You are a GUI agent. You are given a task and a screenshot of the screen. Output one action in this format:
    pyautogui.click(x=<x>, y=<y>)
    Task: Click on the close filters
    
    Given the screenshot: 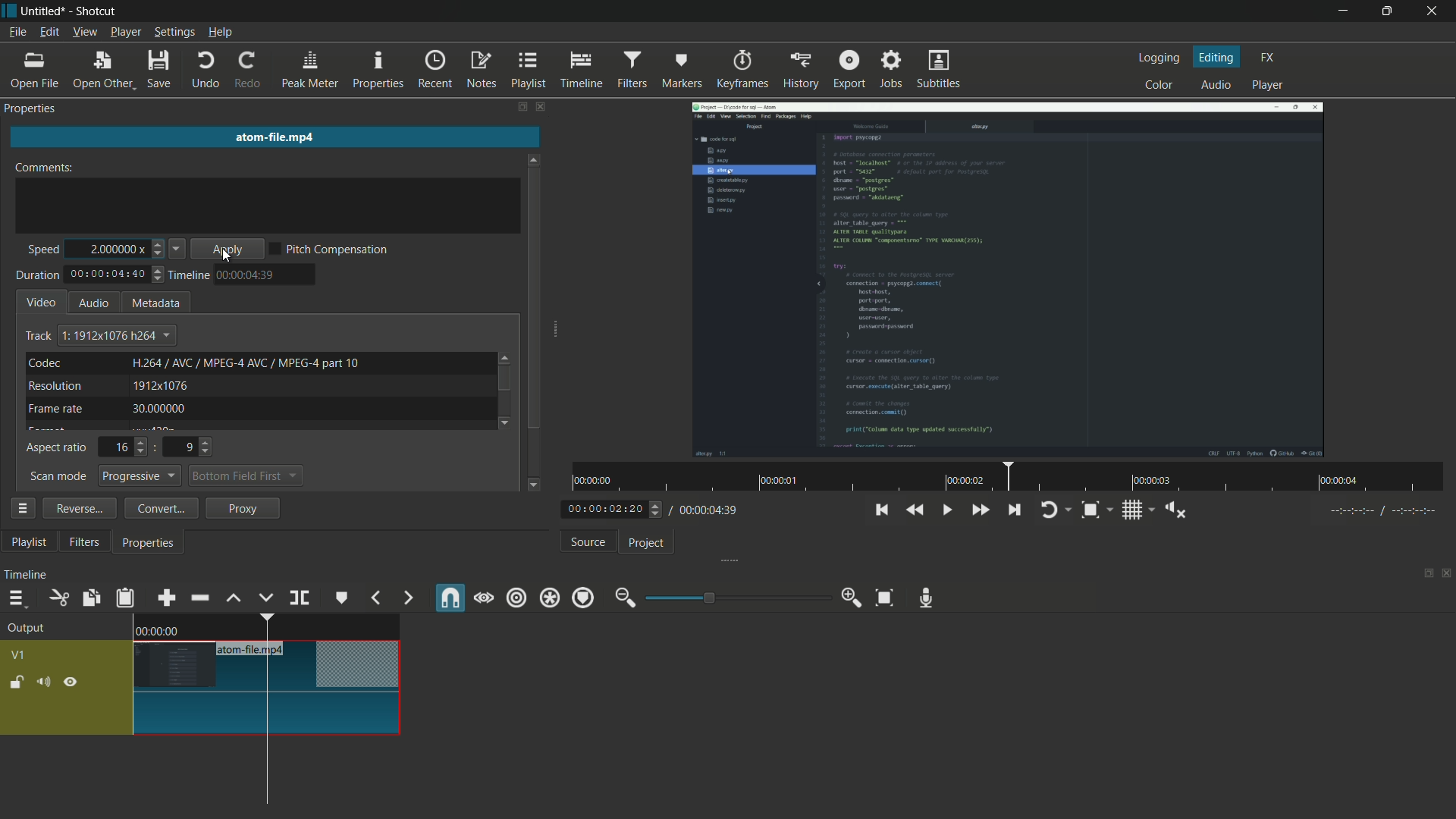 What is the action you would take?
    pyautogui.click(x=543, y=108)
    